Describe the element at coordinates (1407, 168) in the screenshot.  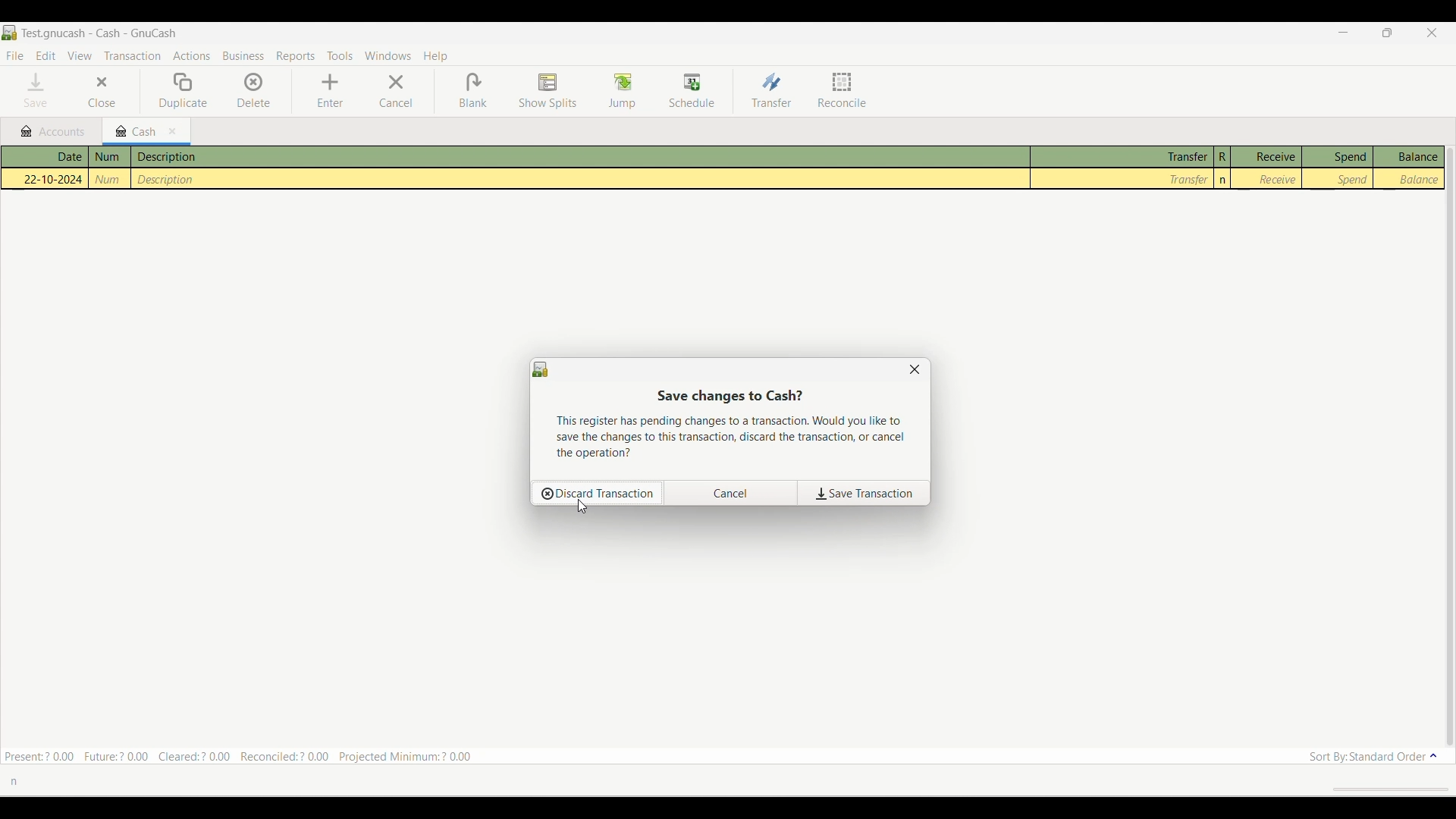
I see `Balance column` at that location.